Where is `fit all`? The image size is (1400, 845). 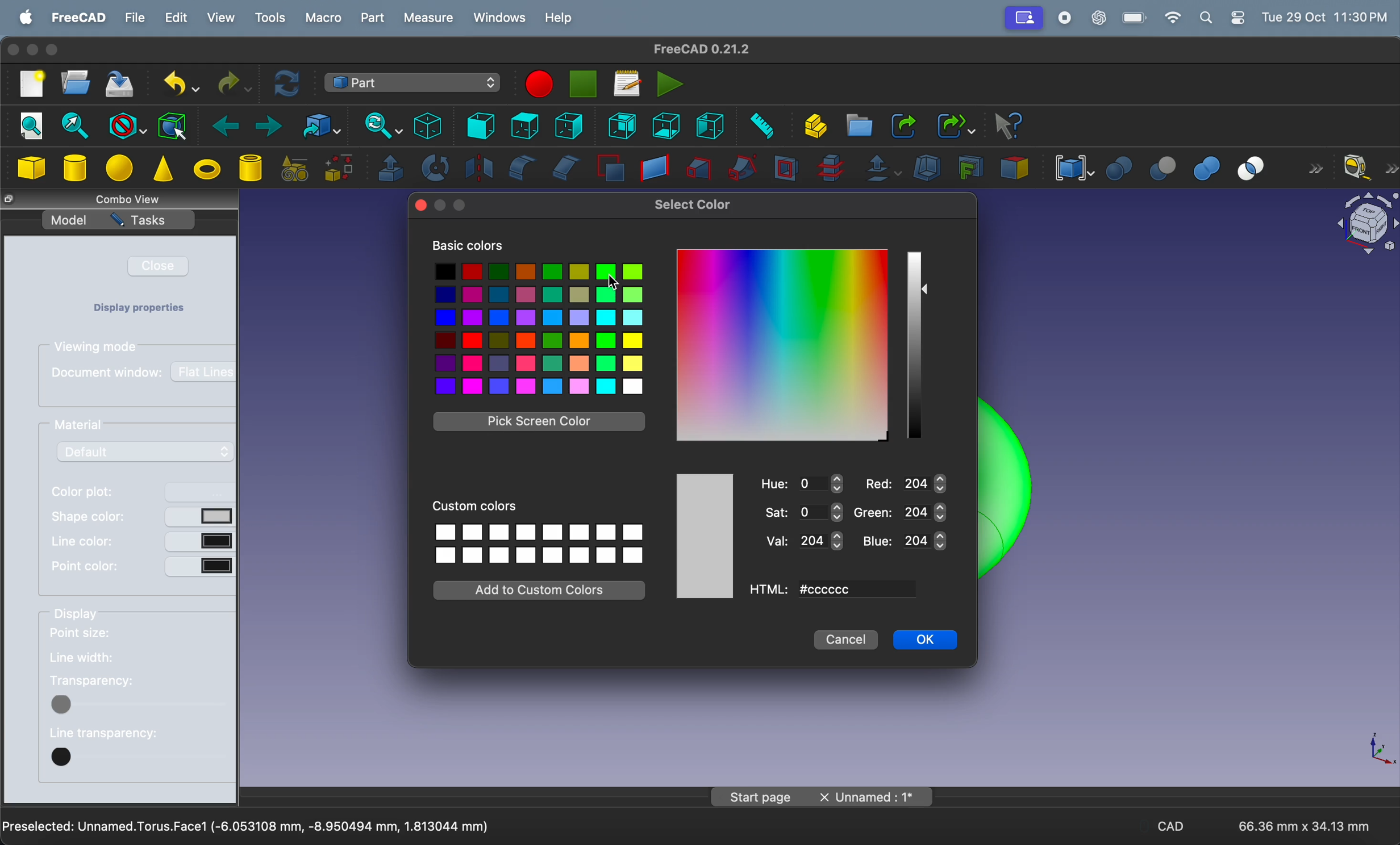 fit all is located at coordinates (30, 125).